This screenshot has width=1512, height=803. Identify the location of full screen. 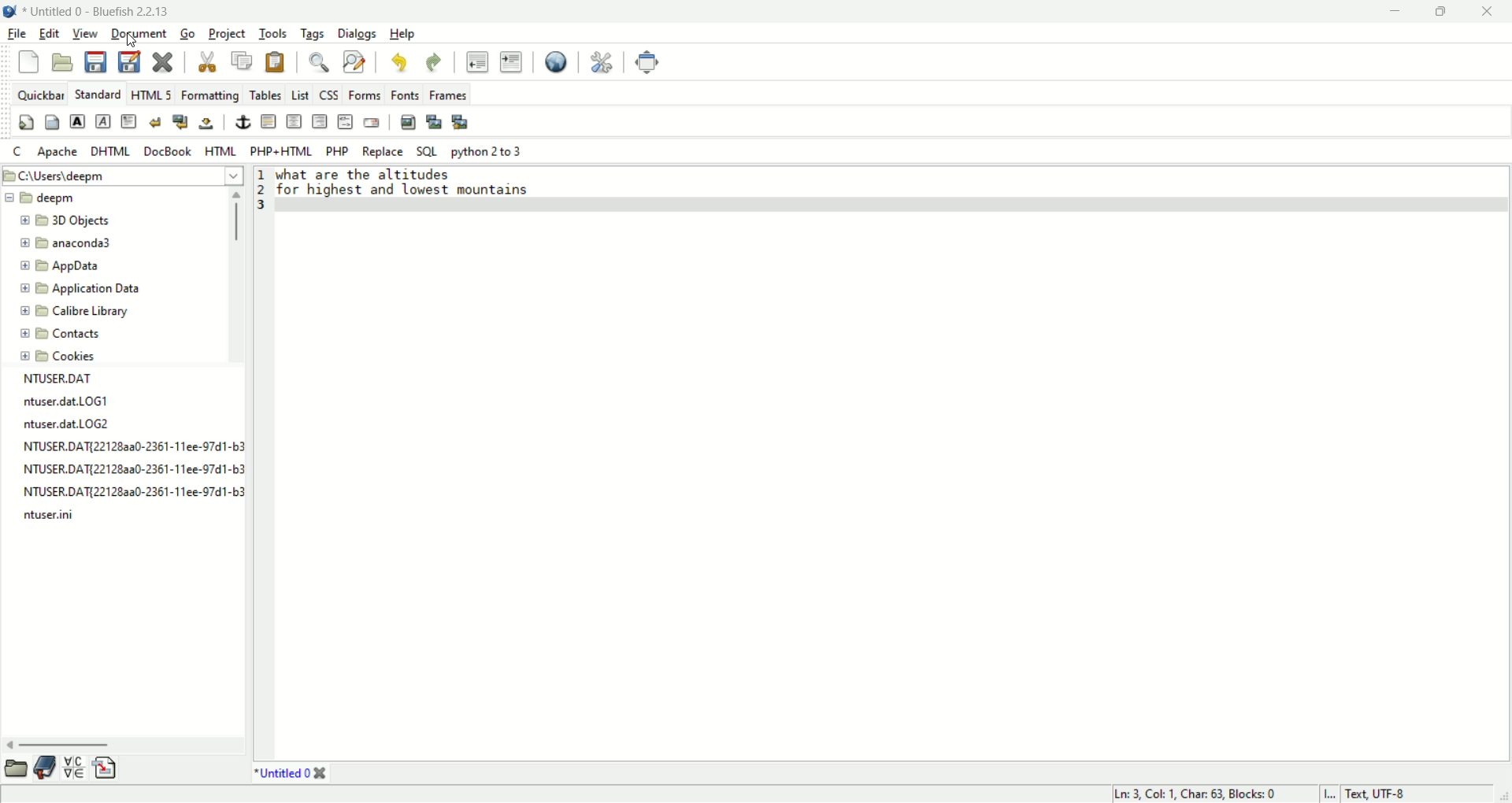
(644, 61).